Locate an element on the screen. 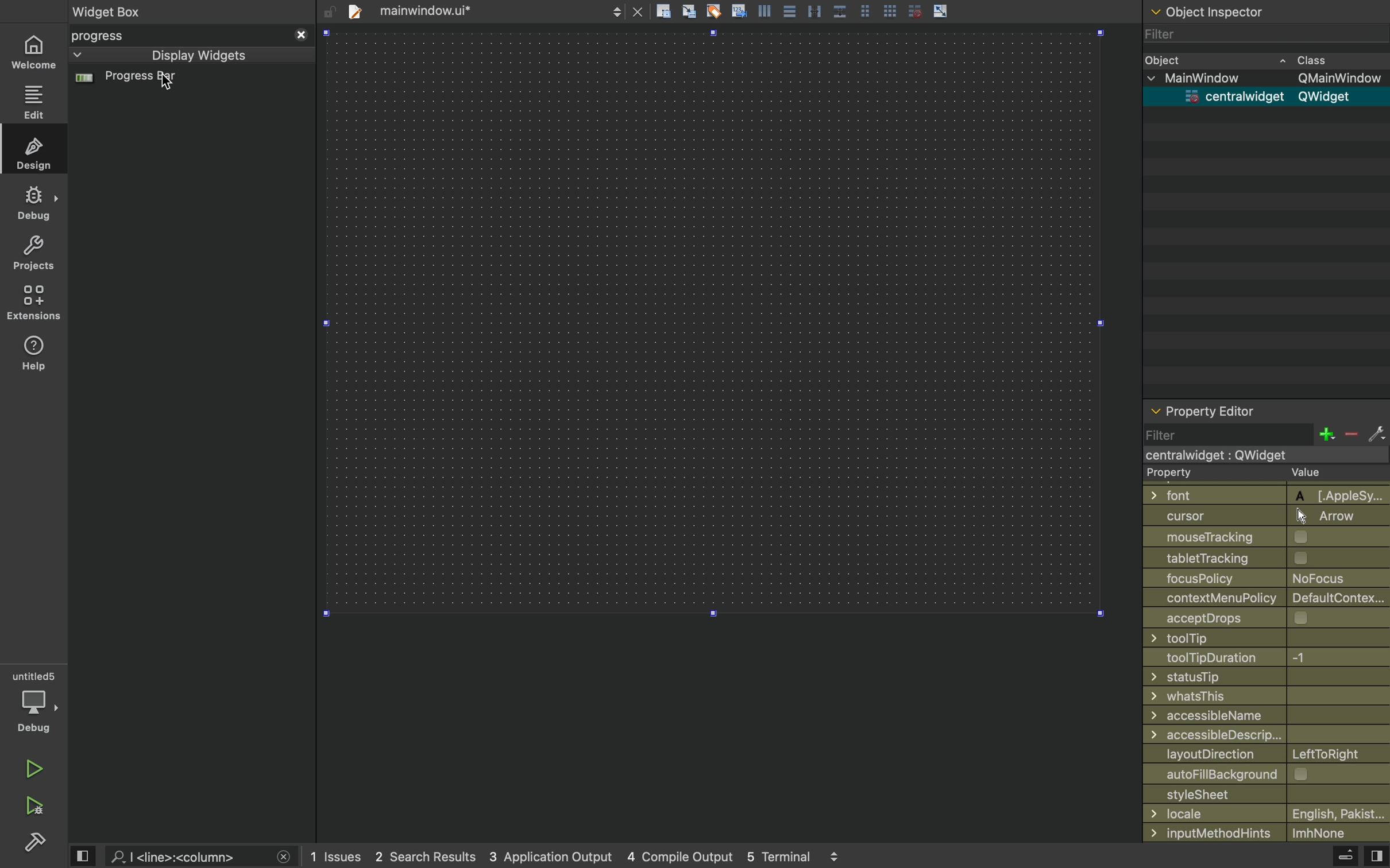  centrawidget is located at coordinates (1262, 96).